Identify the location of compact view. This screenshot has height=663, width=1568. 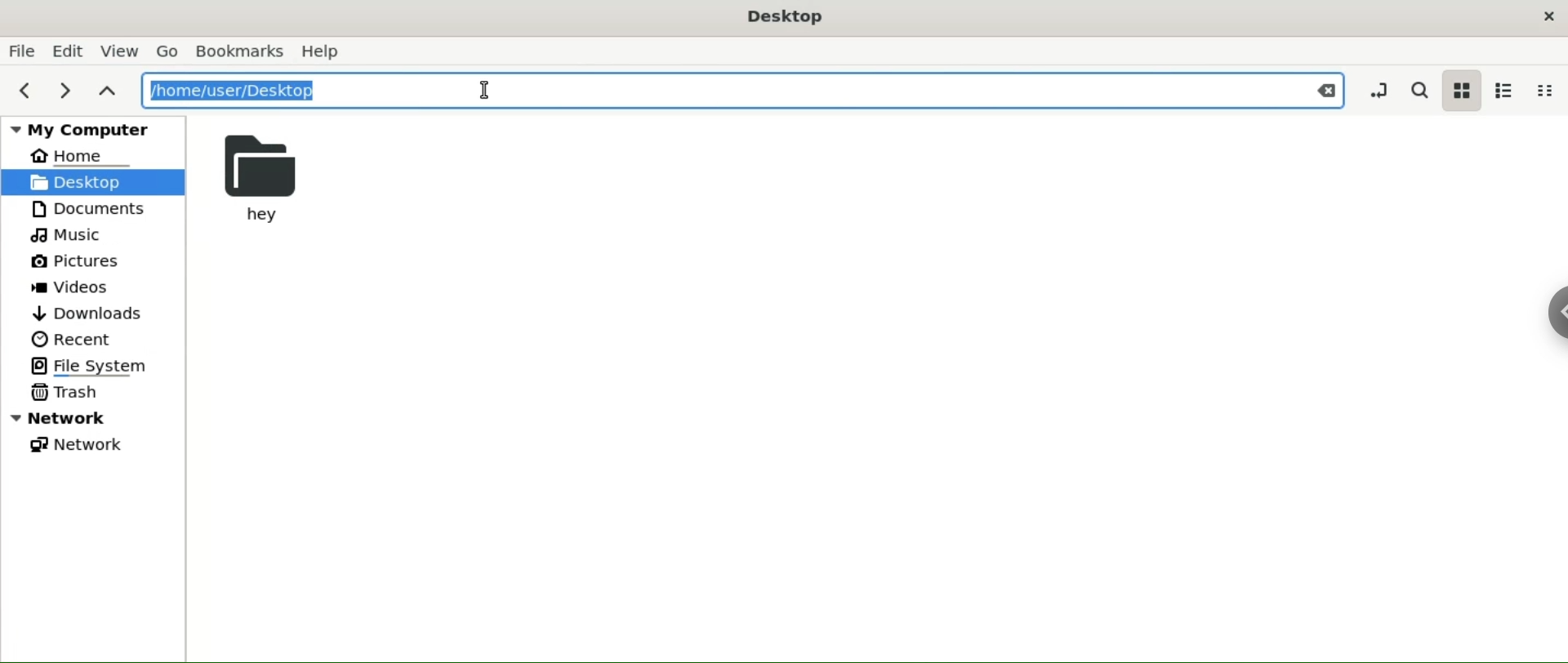
(1544, 91).